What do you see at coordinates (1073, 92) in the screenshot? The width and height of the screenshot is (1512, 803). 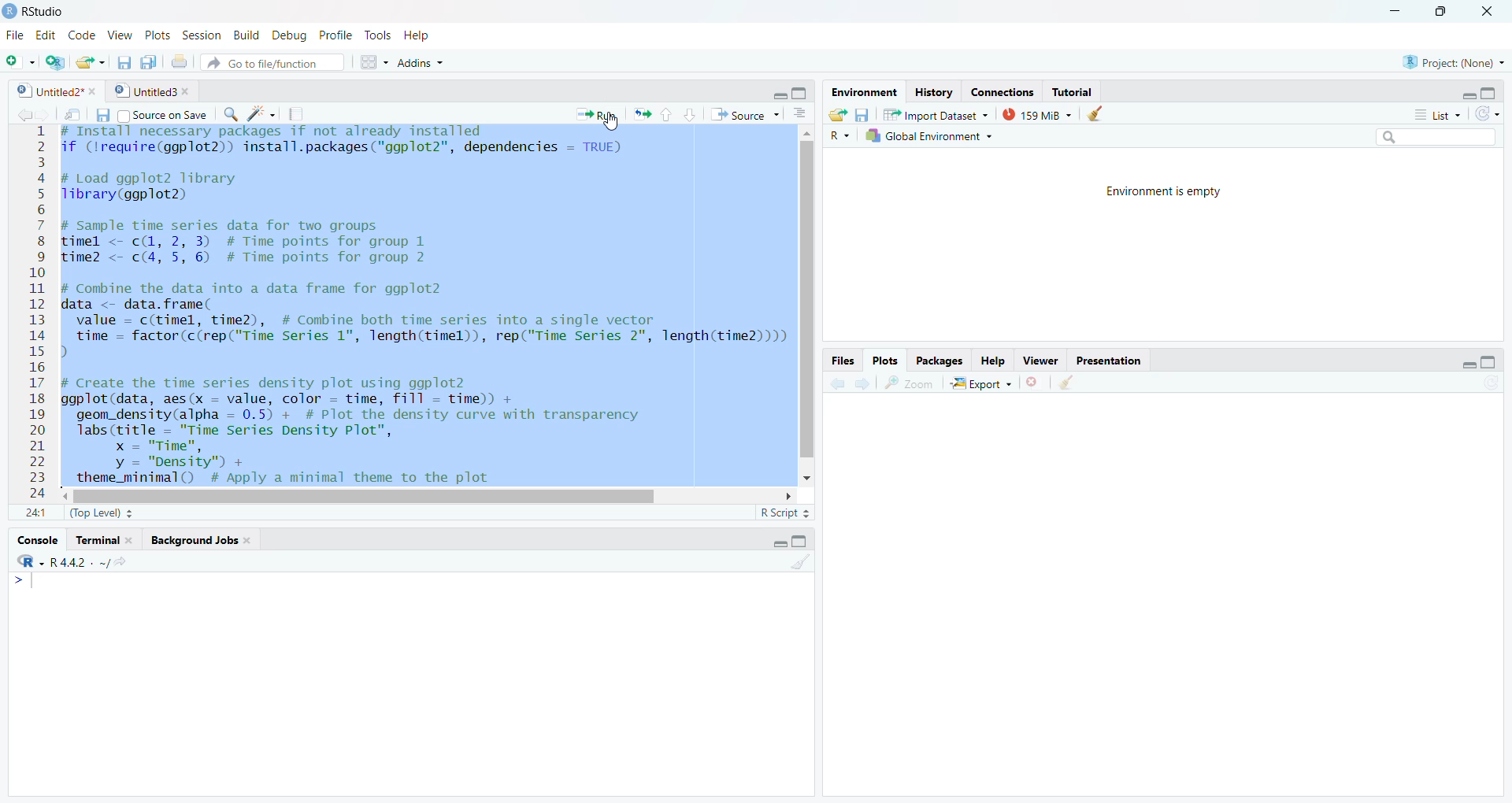 I see `Tutorial` at bounding box center [1073, 92].